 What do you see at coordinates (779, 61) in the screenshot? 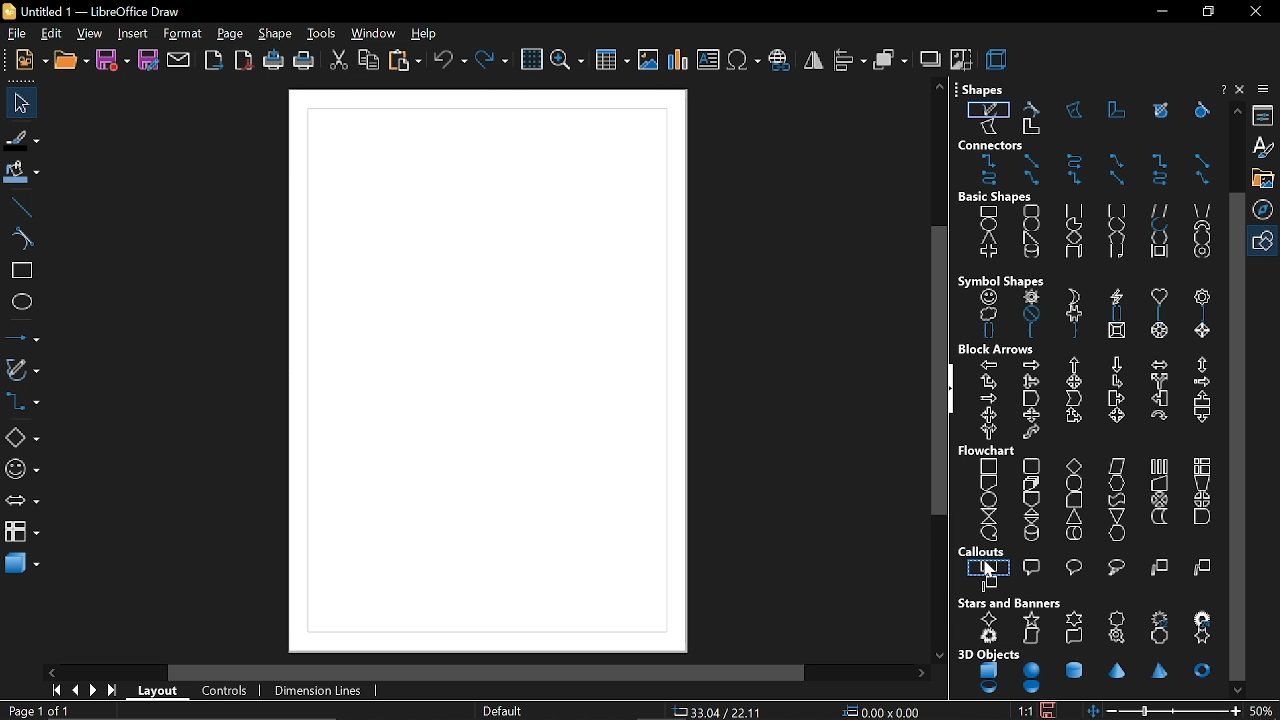
I see `insert hyperlink` at bounding box center [779, 61].